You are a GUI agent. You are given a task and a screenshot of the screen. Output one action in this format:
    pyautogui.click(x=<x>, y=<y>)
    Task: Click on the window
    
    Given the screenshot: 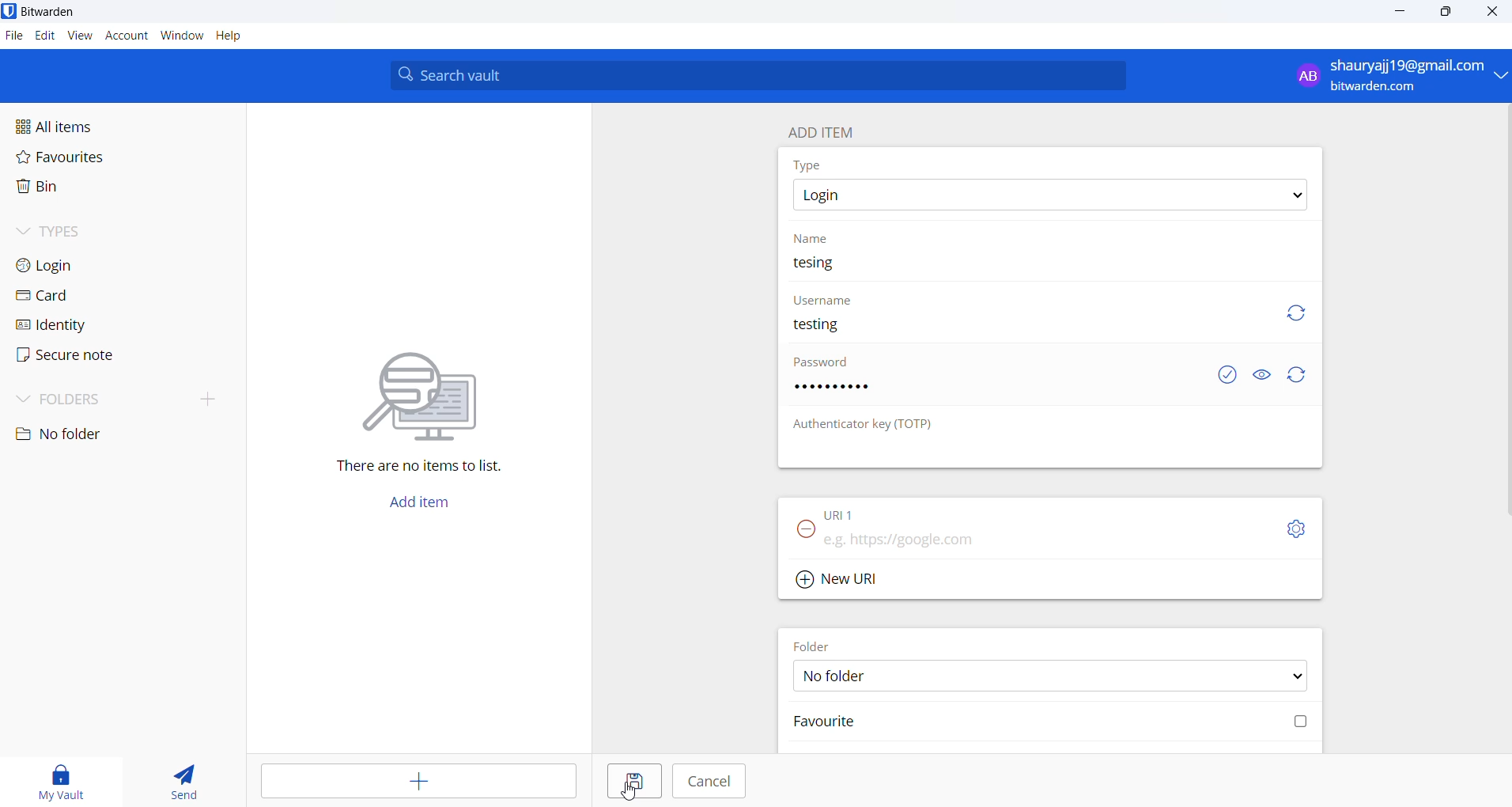 What is the action you would take?
    pyautogui.click(x=181, y=37)
    